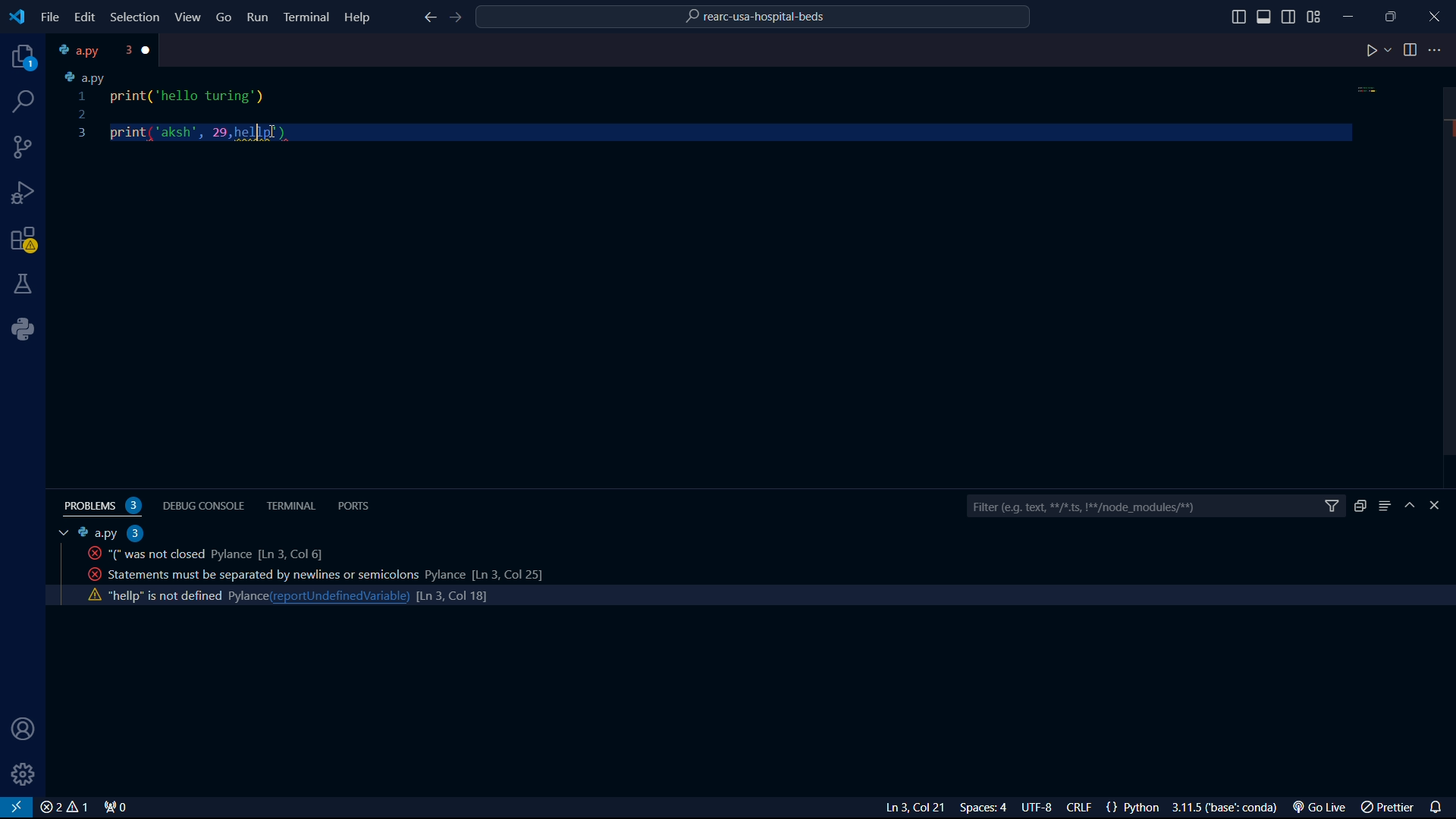 Image resolution: width=1456 pixels, height=819 pixels. I want to click on file, so click(50, 17).